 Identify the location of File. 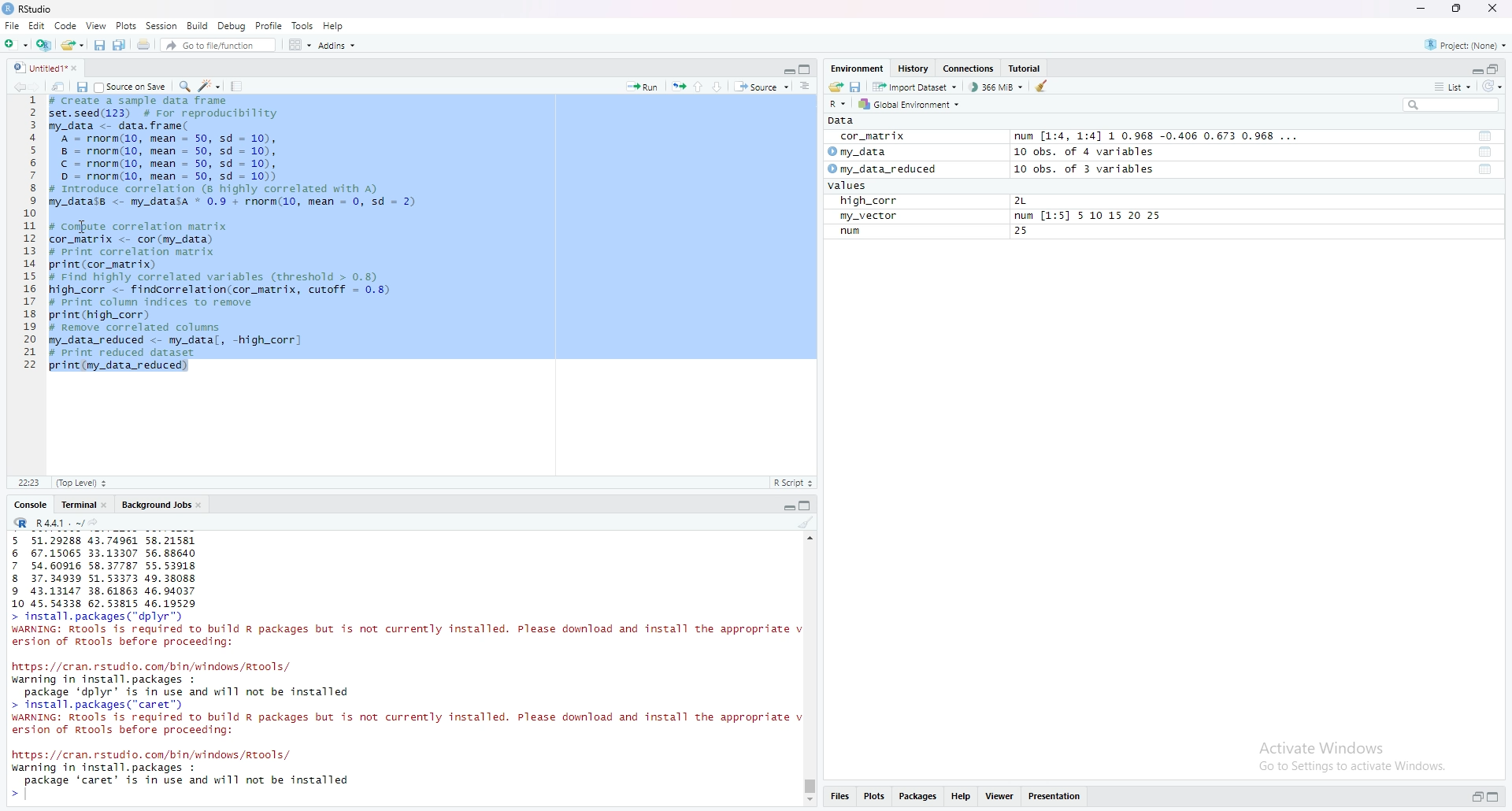
(13, 26).